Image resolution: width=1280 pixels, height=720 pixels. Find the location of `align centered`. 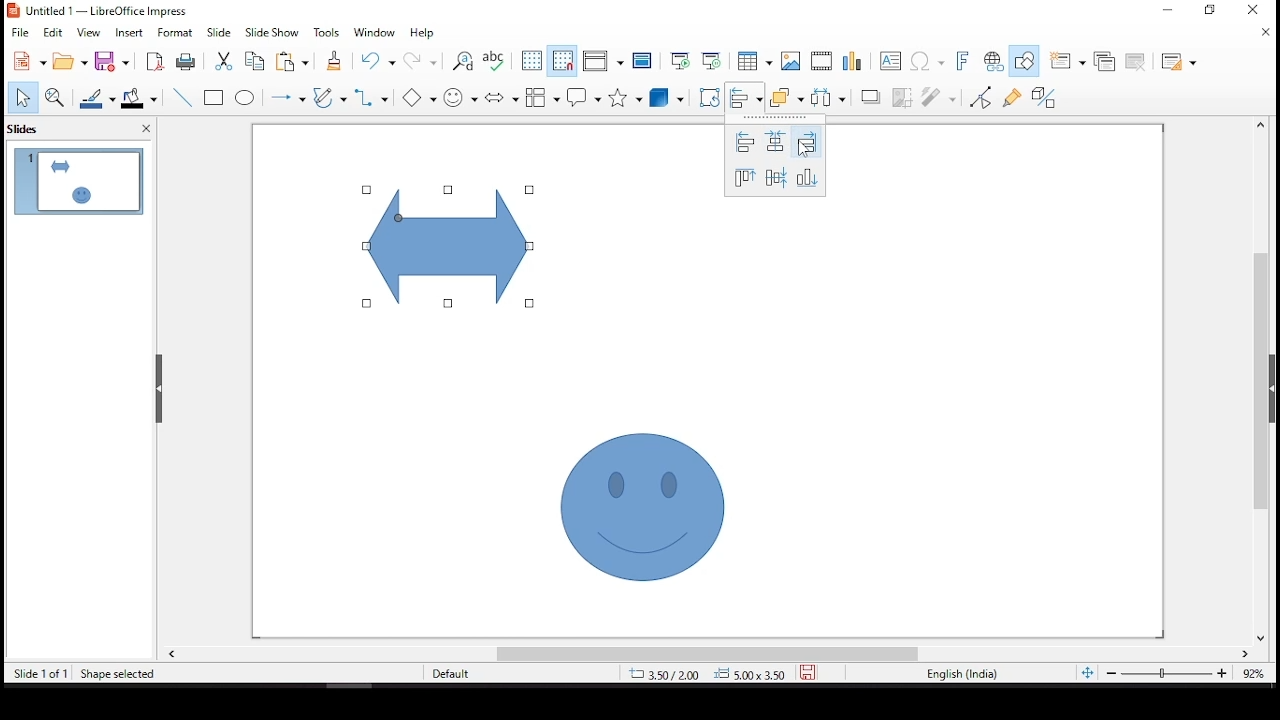

align centered is located at coordinates (775, 141).